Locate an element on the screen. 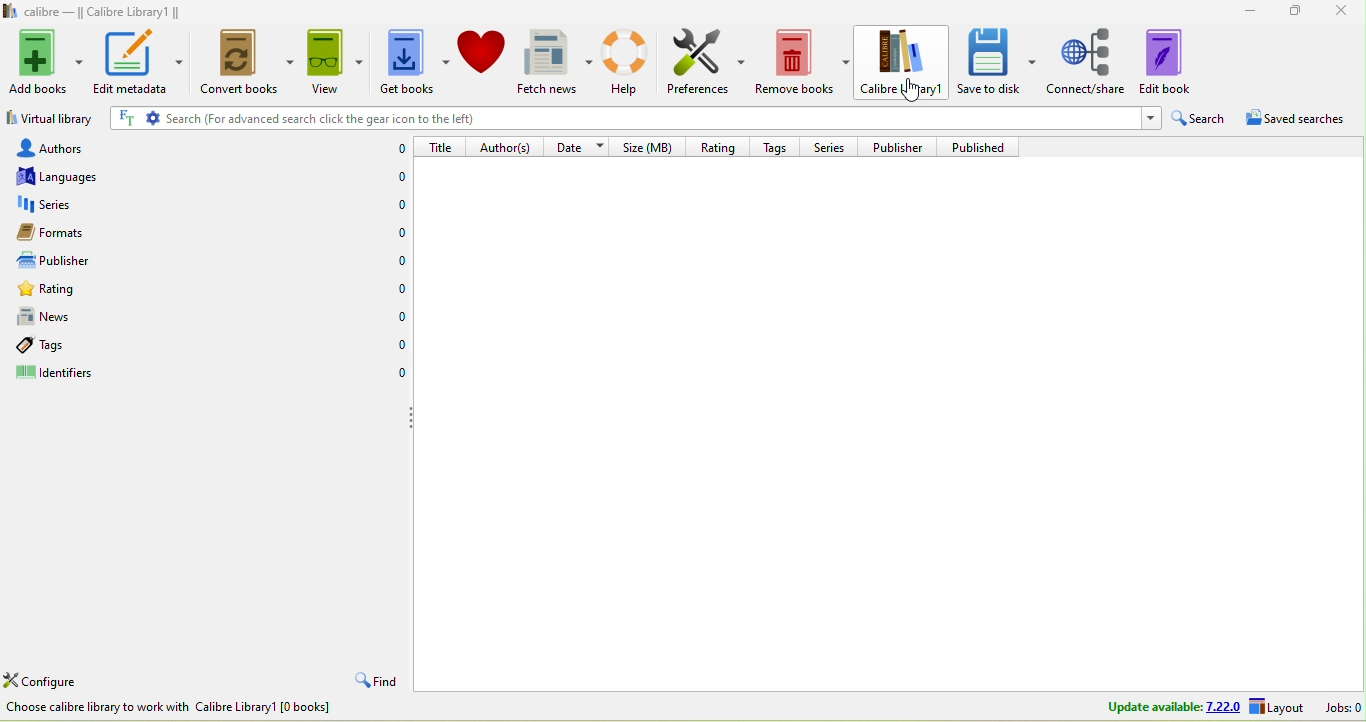  virtual library is located at coordinates (49, 121).